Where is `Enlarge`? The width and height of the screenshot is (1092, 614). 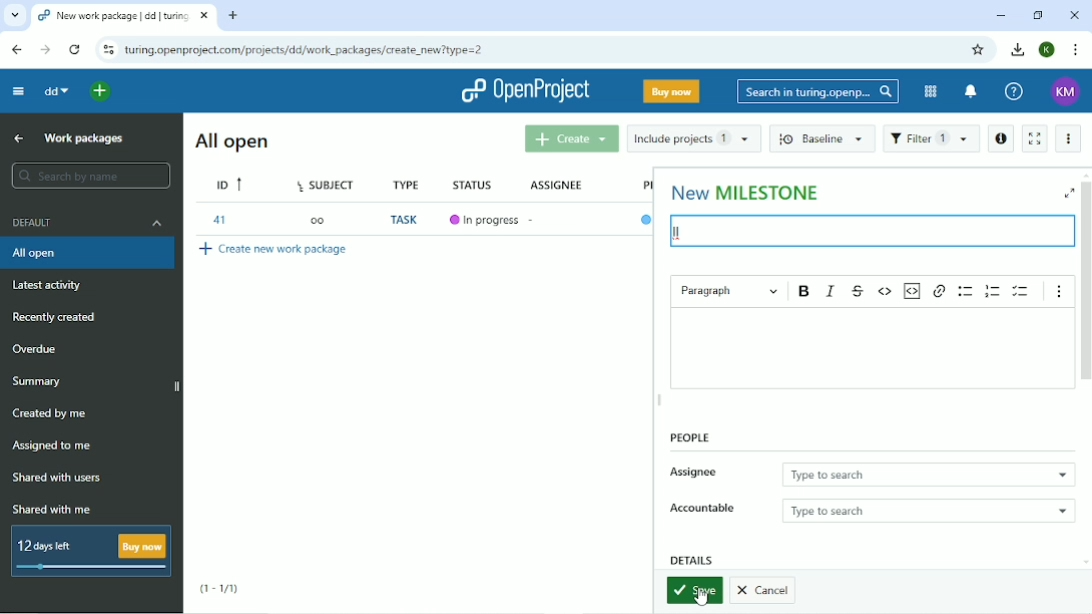
Enlarge is located at coordinates (1068, 193).